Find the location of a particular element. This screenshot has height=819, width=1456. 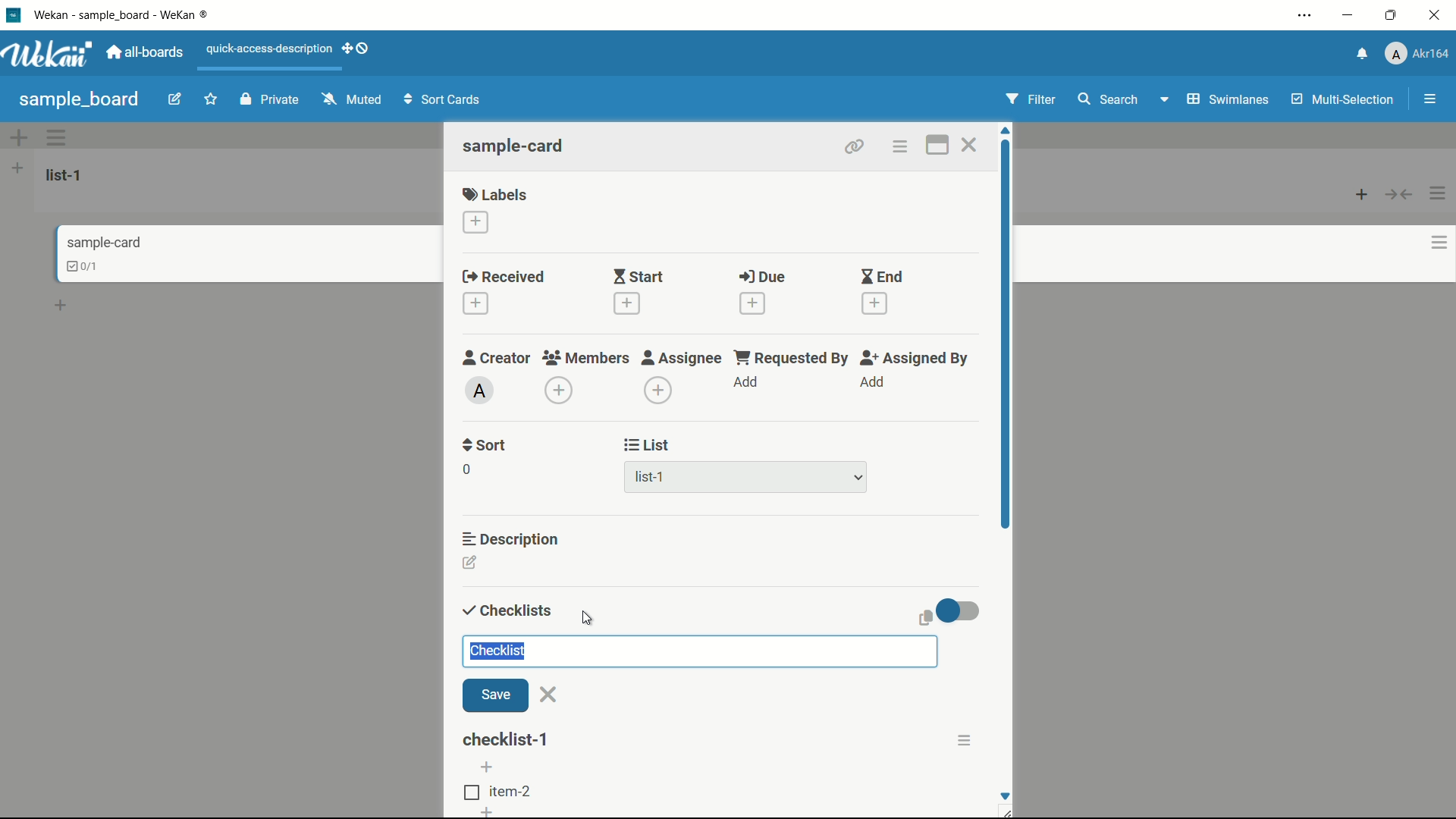

close is located at coordinates (549, 695).